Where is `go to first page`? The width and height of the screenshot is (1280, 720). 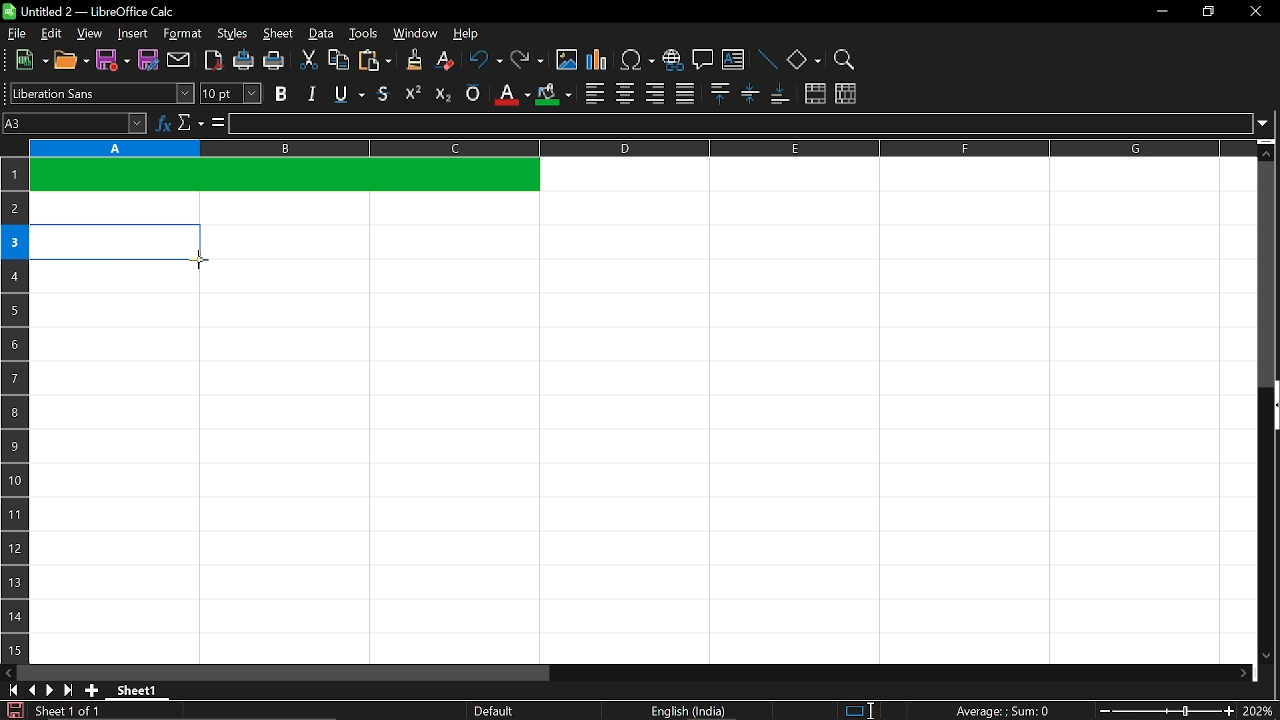
go to first page is located at coordinates (10, 691).